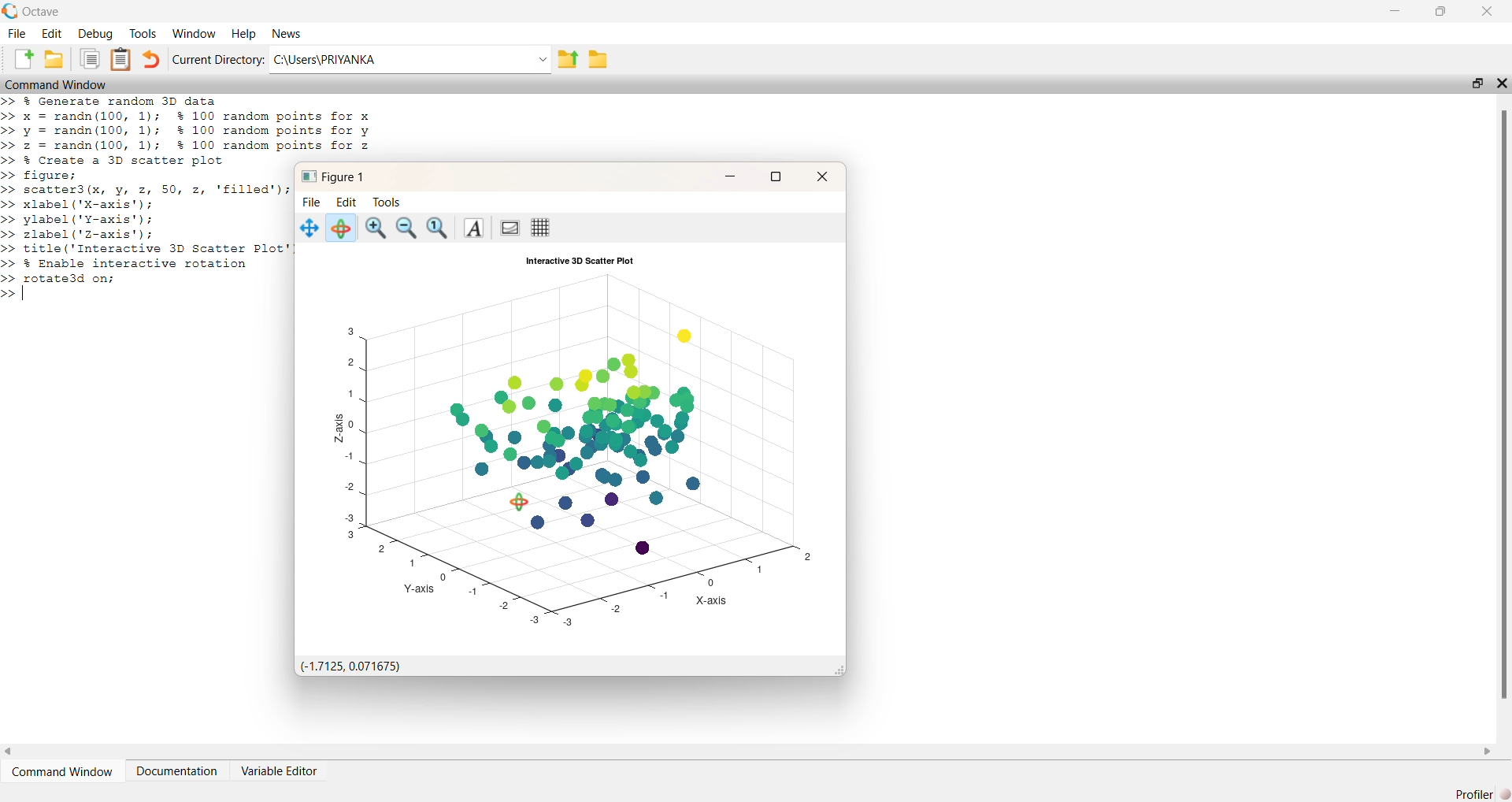 The height and width of the screenshot is (802, 1512). Describe the element at coordinates (1440, 11) in the screenshot. I see `resize` at that location.